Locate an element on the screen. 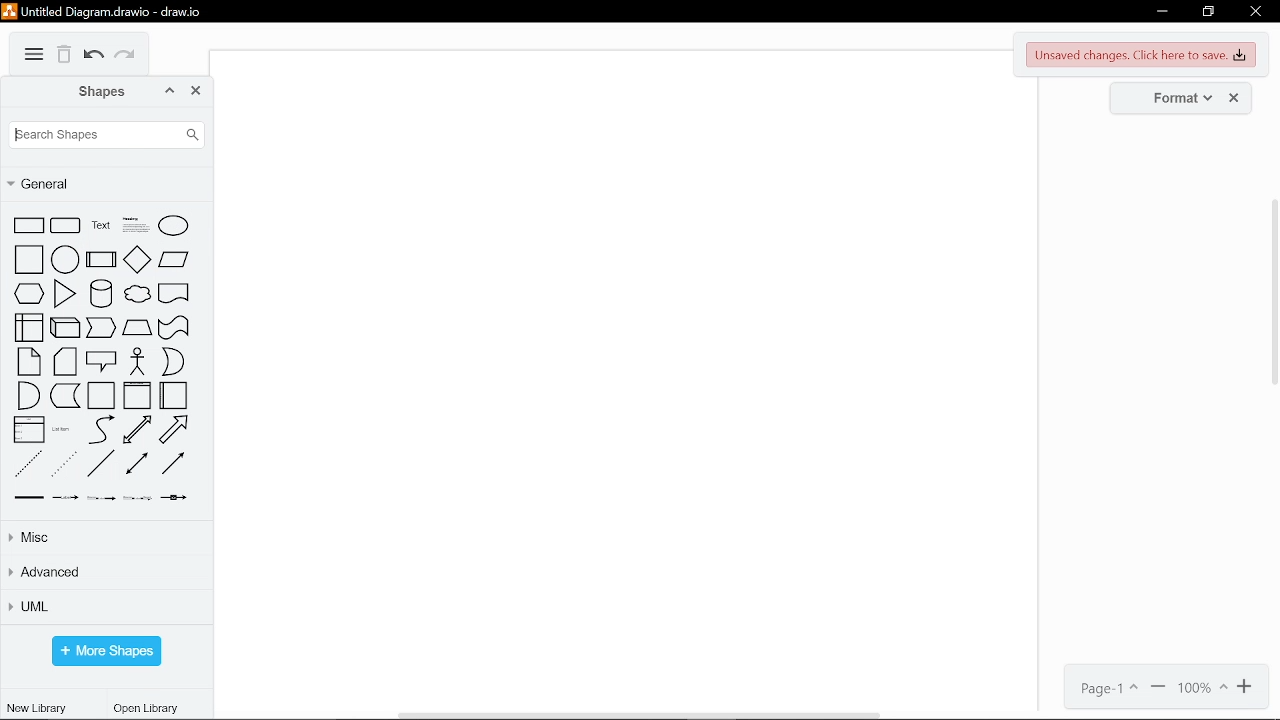 Image resolution: width=1280 pixels, height=720 pixels. open library is located at coordinates (149, 709).